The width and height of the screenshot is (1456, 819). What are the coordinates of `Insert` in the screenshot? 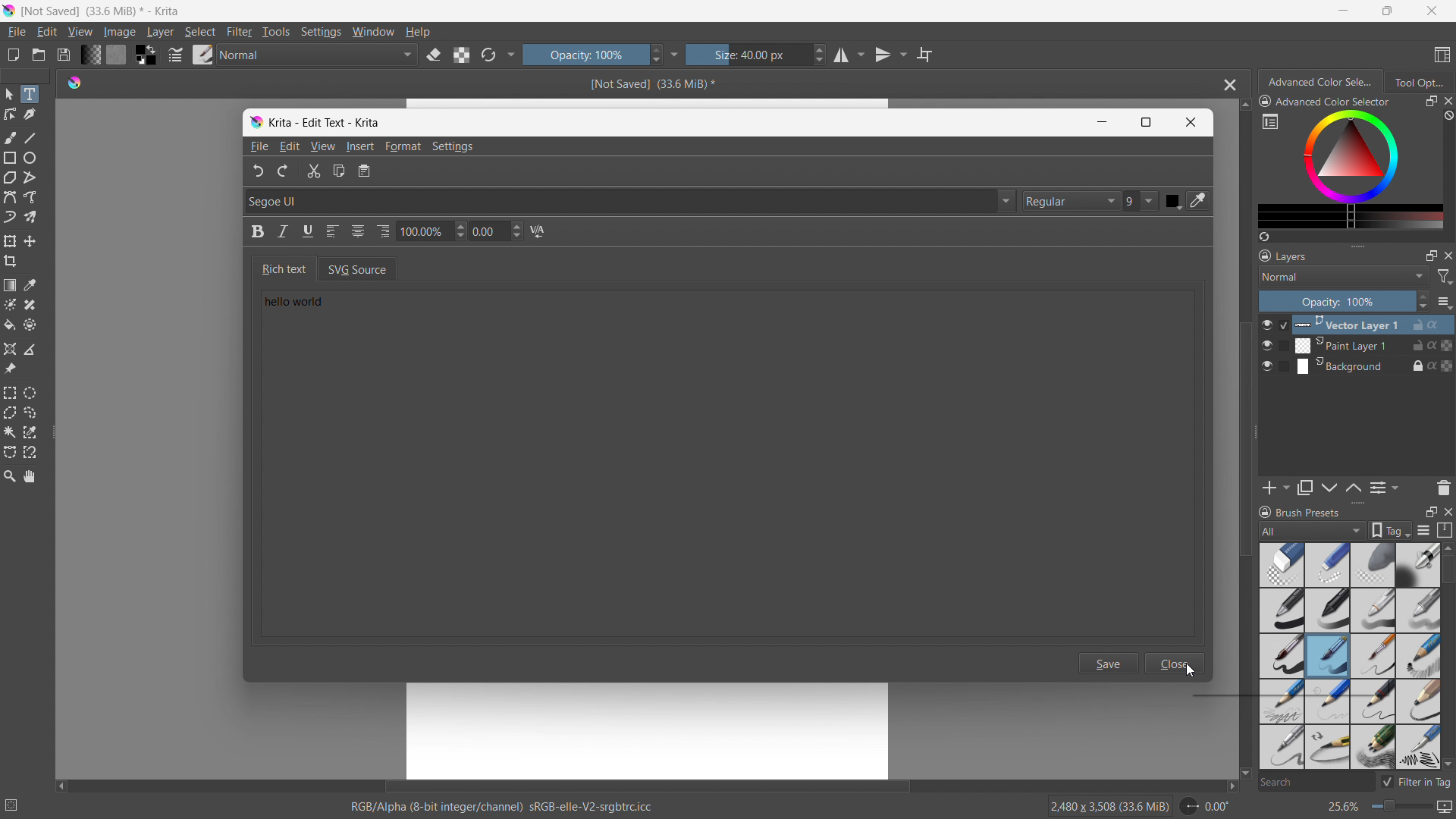 It's located at (360, 147).